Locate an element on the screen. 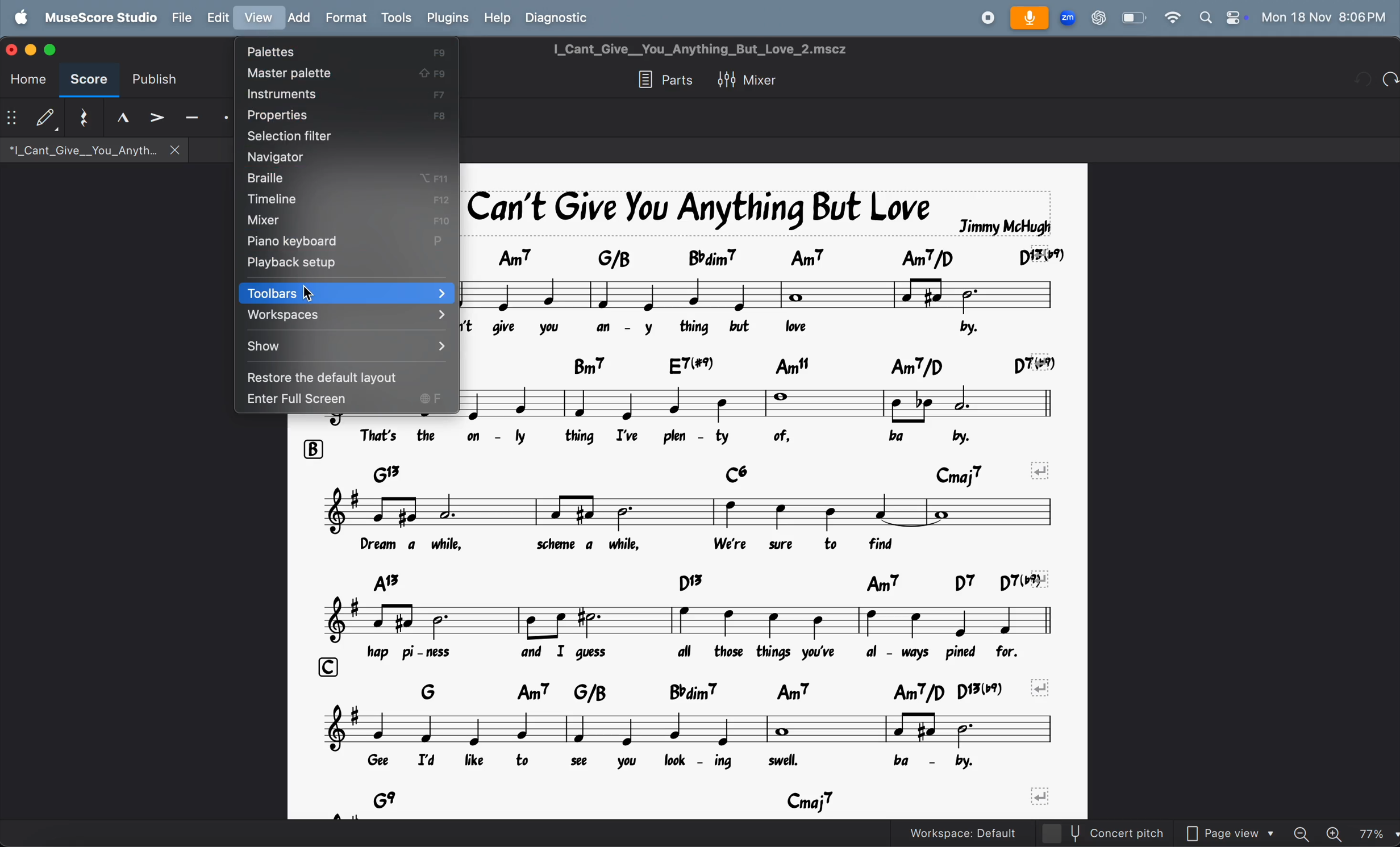 The width and height of the screenshot is (1400, 847). plugins is located at coordinates (447, 19).